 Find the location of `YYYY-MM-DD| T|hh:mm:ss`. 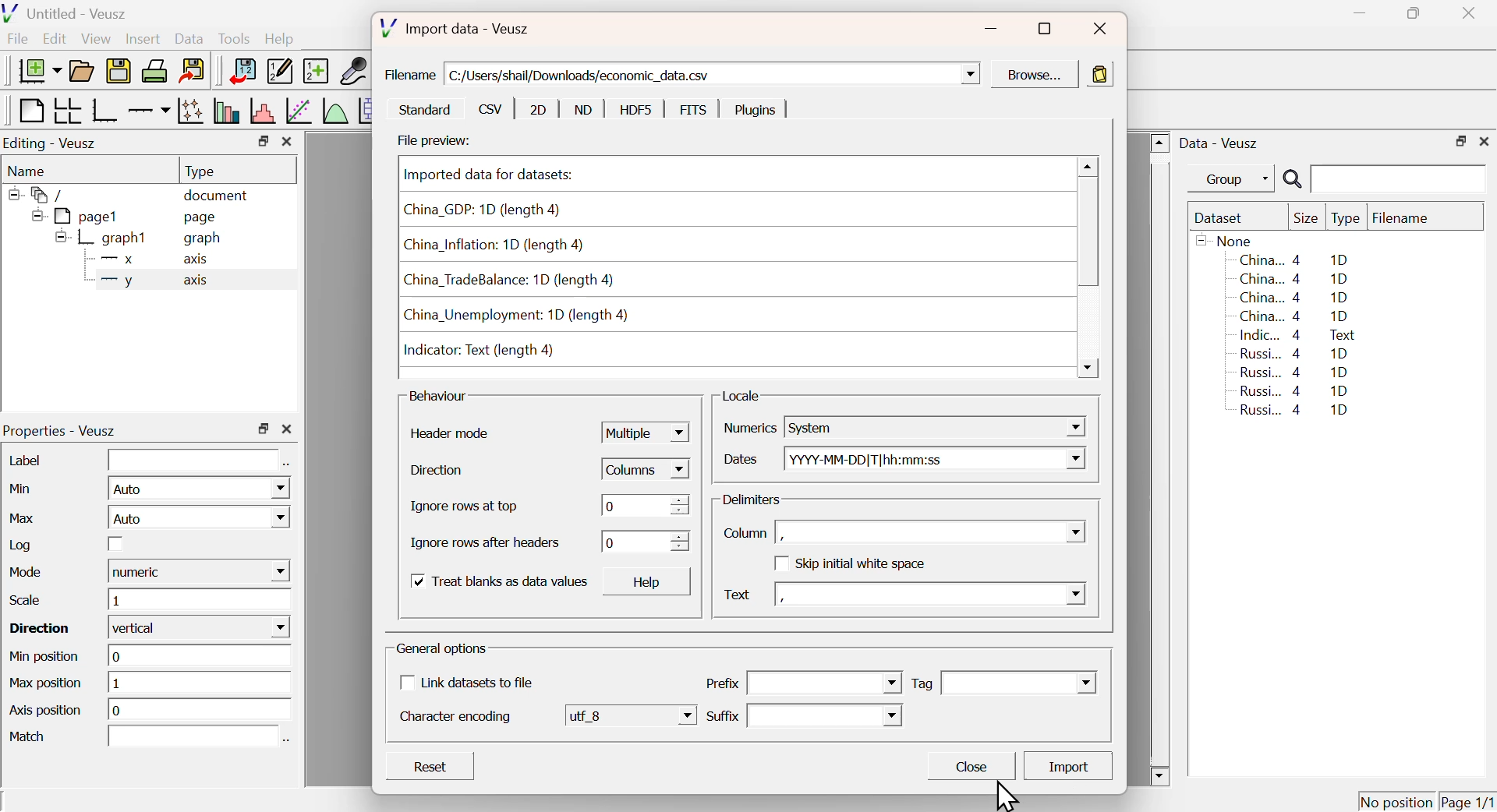

YYYY-MM-DD| T|hh:mm:ss is located at coordinates (934, 460).